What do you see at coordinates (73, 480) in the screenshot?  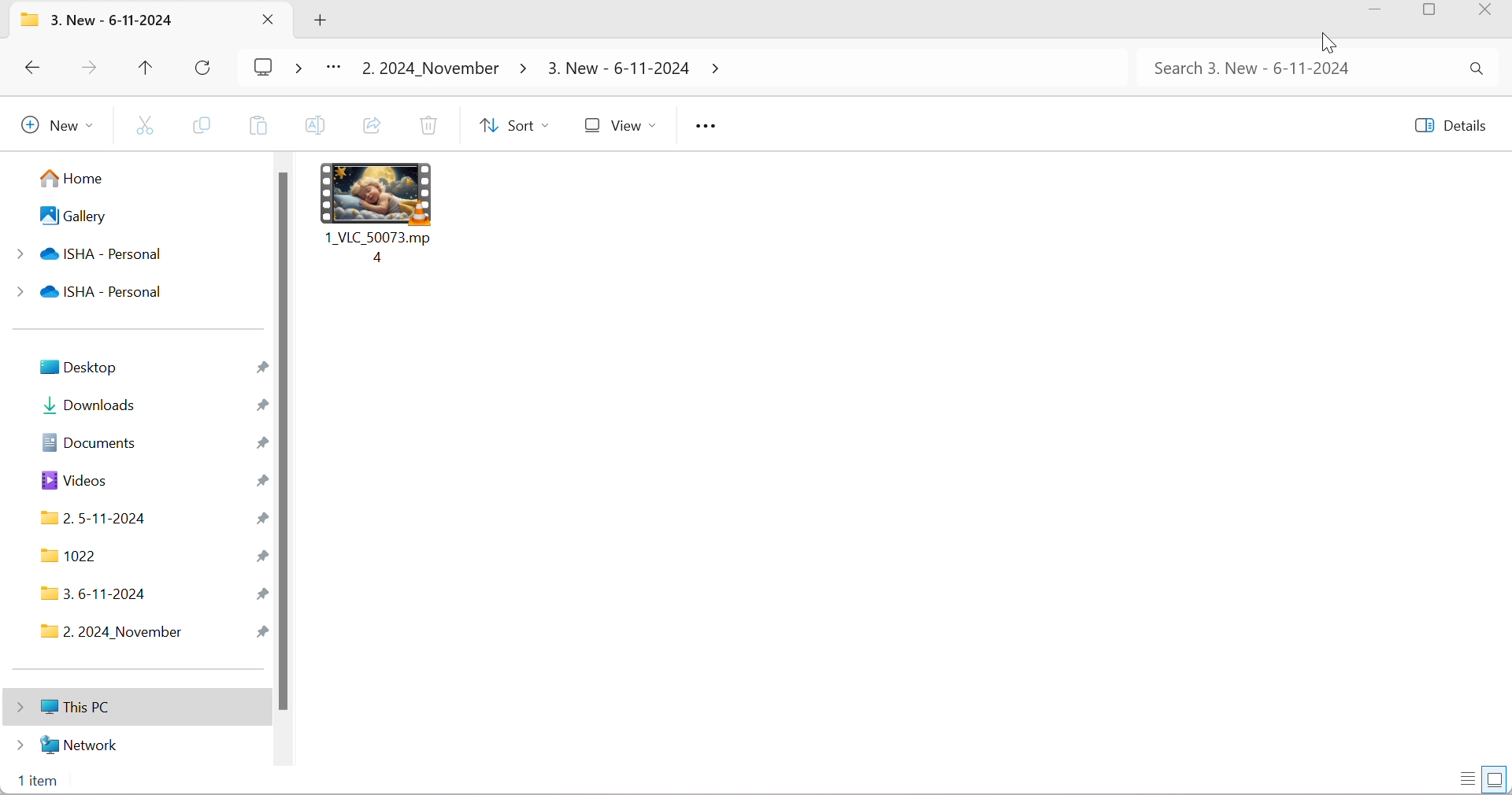 I see `Videos` at bounding box center [73, 480].